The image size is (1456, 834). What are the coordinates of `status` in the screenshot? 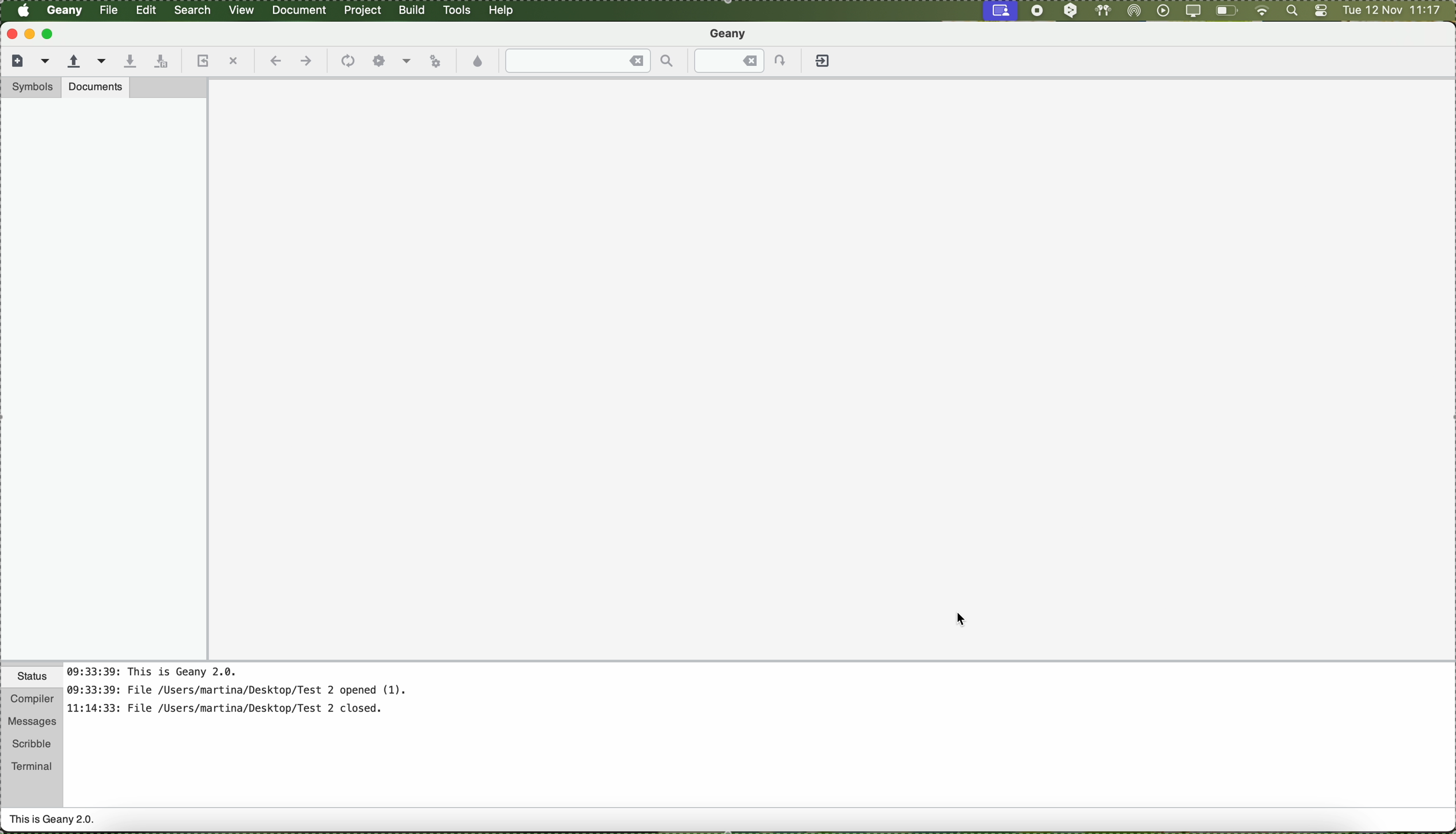 It's located at (32, 678).